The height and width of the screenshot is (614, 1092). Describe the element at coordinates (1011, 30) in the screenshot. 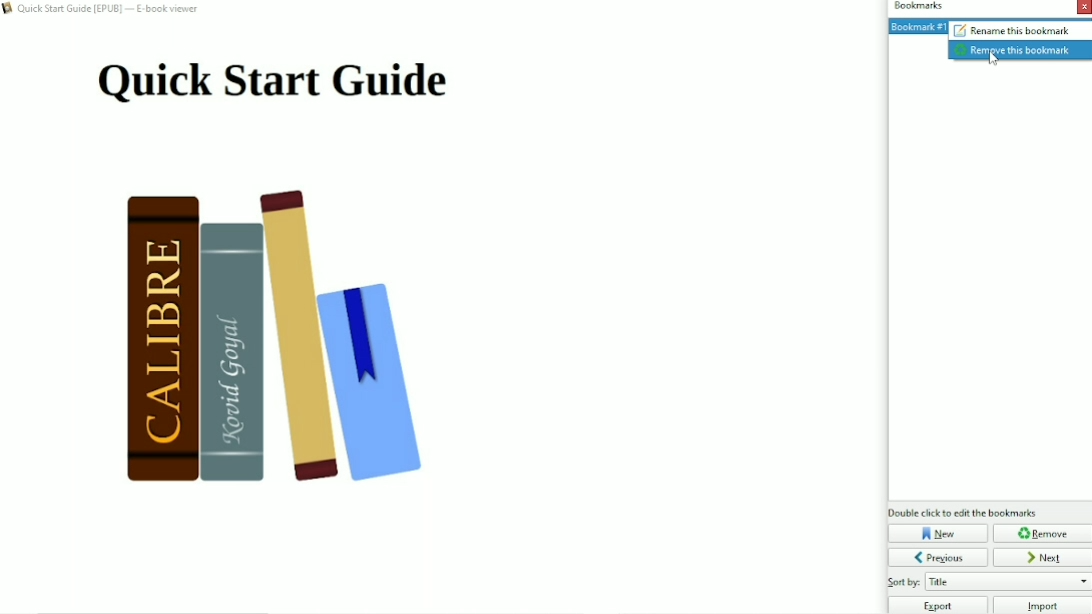

I see `Rename this bookmark` at that location.